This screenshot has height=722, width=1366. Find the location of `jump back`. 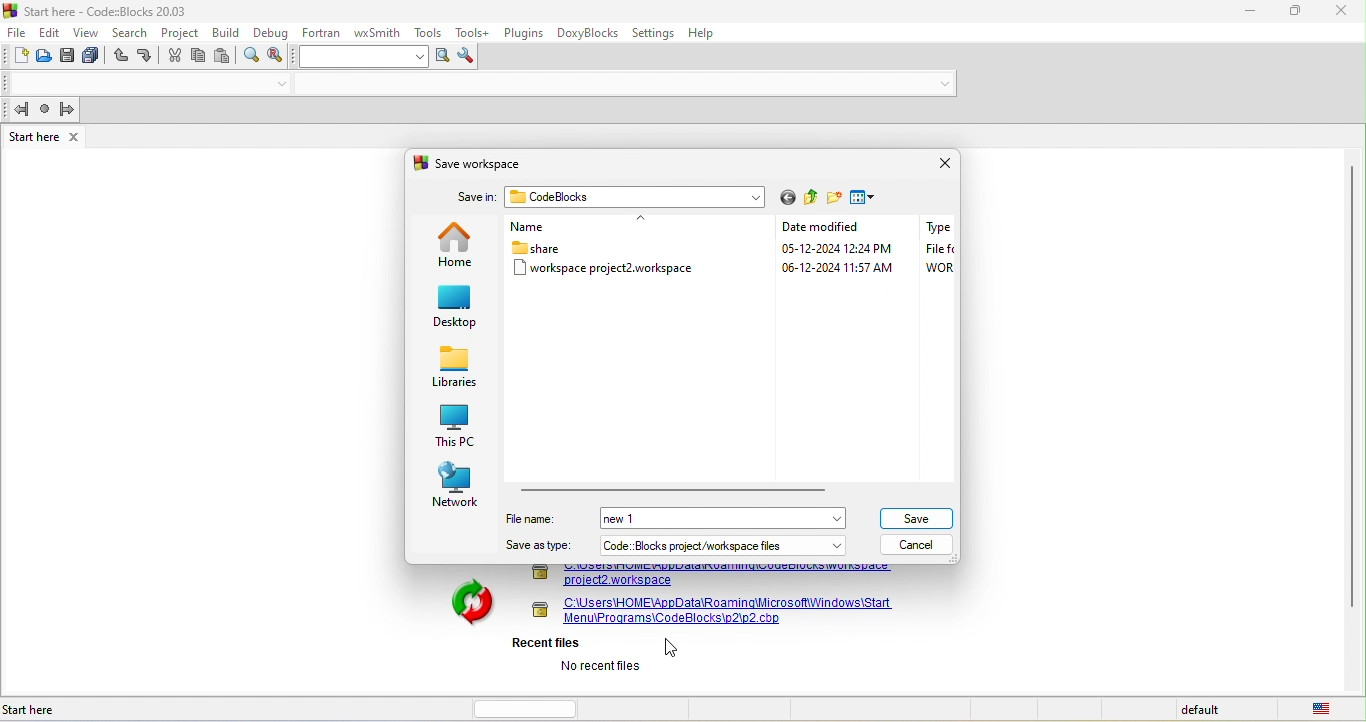

jump back is located at coordinates (18, 110).